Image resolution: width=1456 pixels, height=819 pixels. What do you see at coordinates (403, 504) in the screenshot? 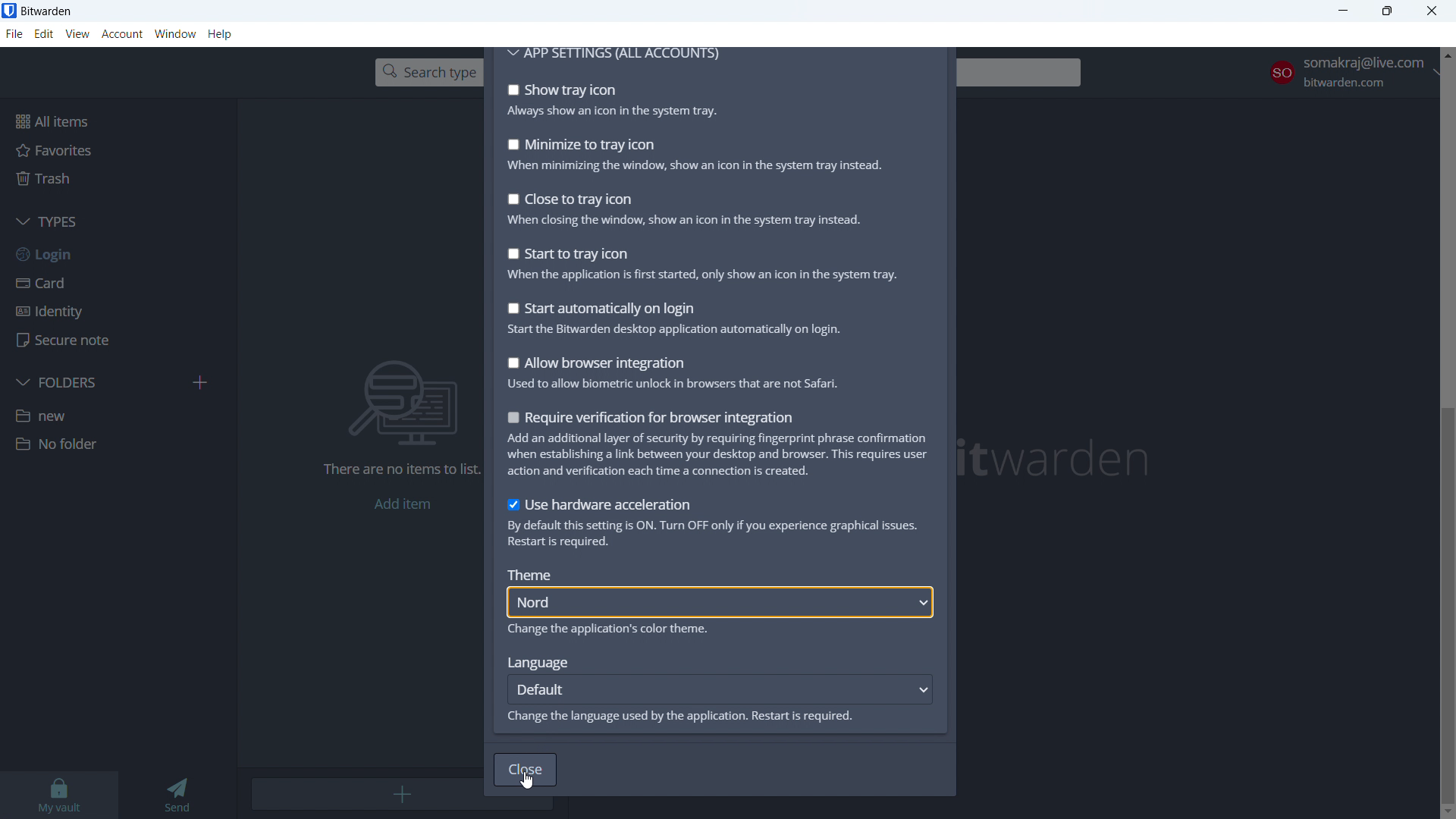
I see `add item` at bounding box center [403, 504].